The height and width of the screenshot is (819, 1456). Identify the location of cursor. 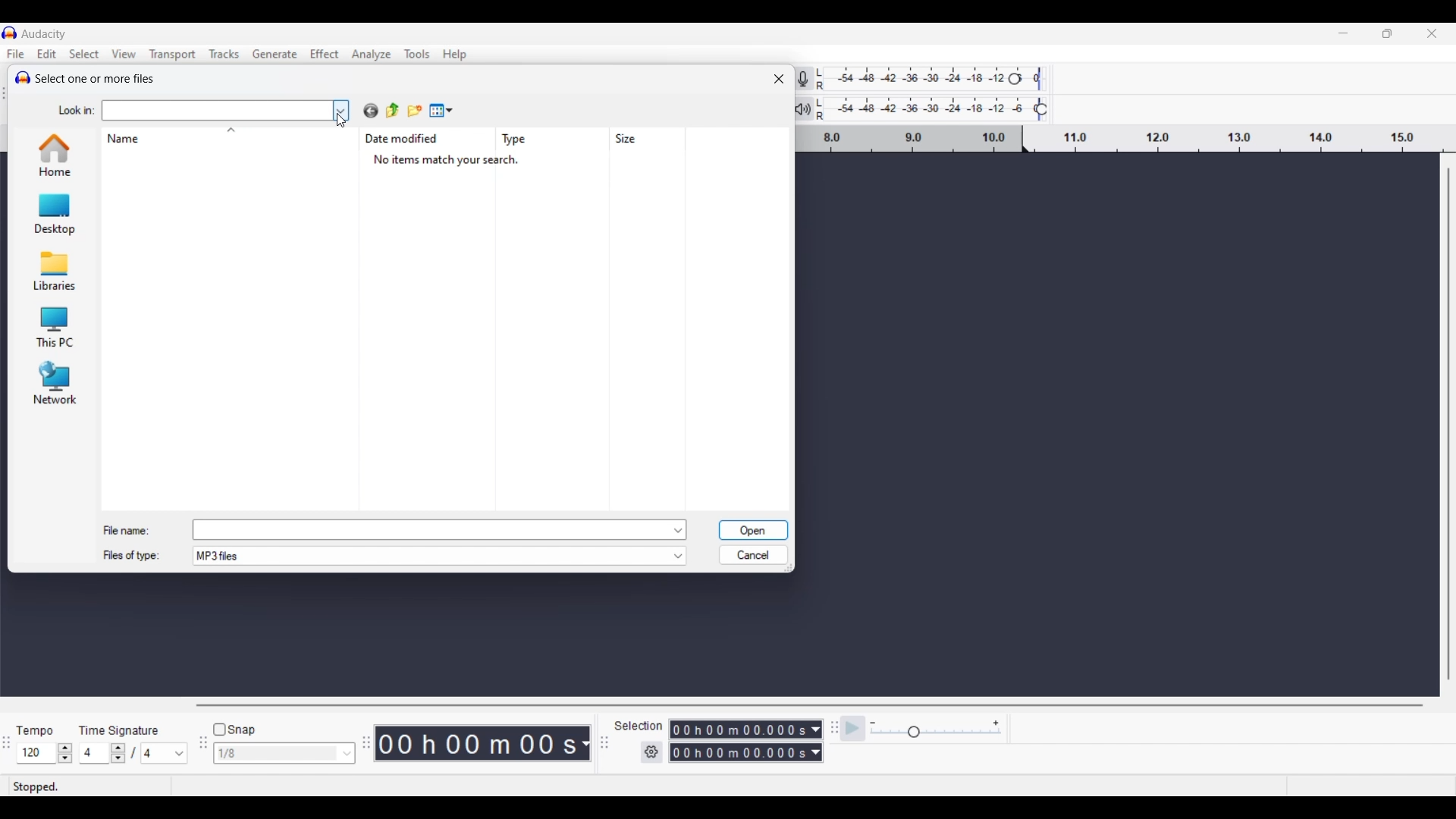
(345, 125).